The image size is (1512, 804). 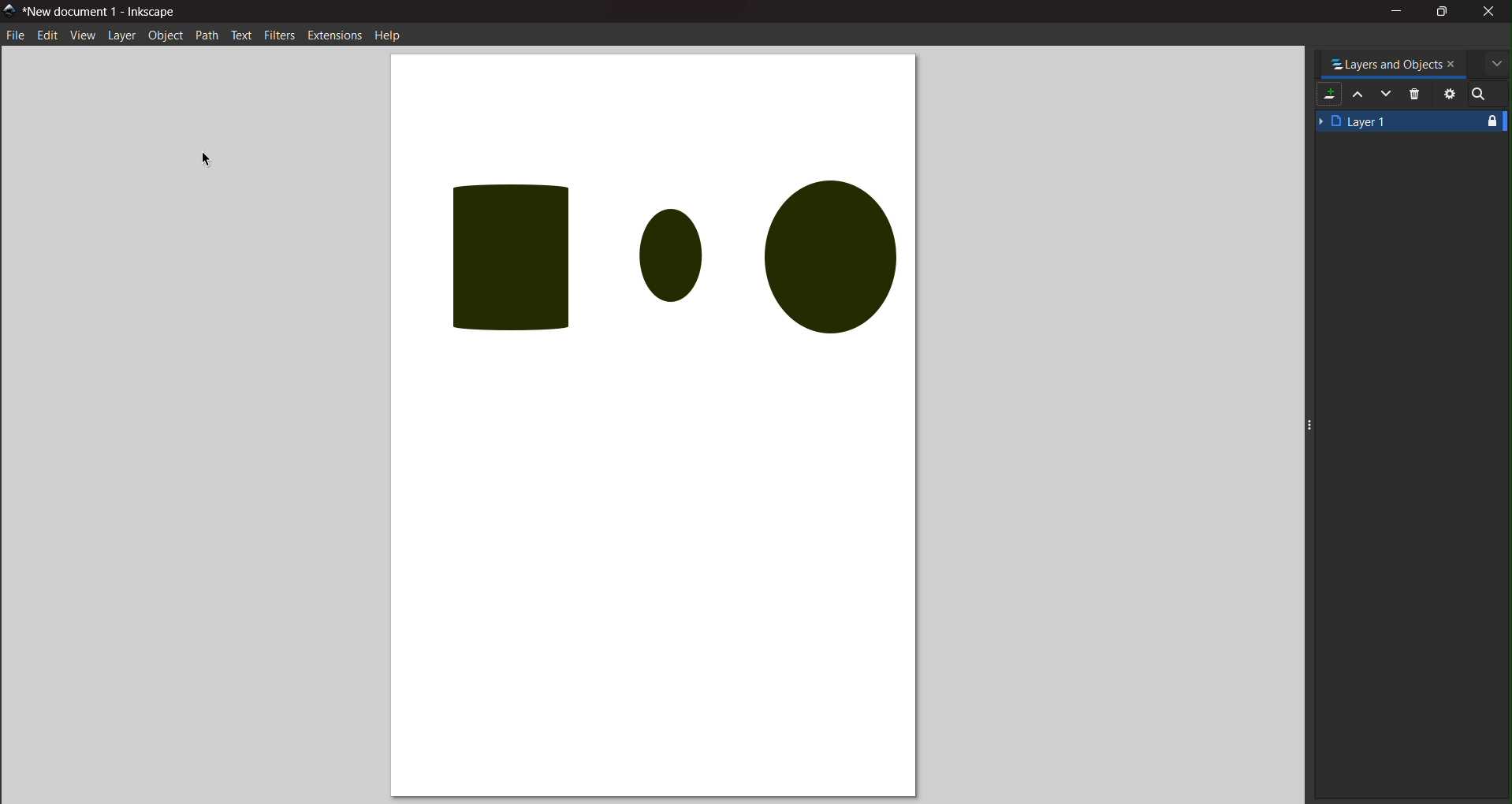 I want to click on mask down, so click(x=1387, y=94).